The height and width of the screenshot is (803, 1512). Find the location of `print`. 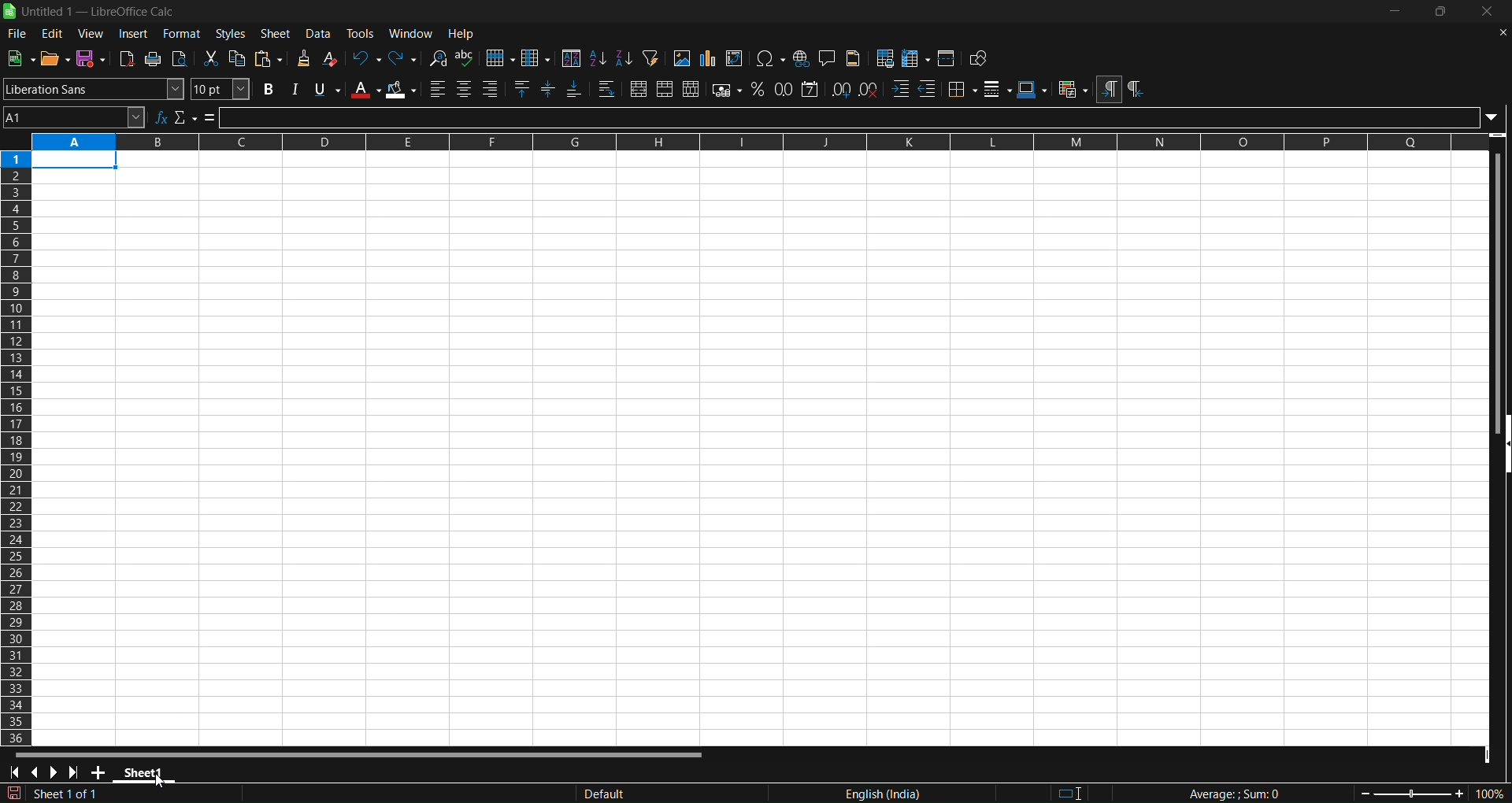

print is located at coordinates (154, 59).